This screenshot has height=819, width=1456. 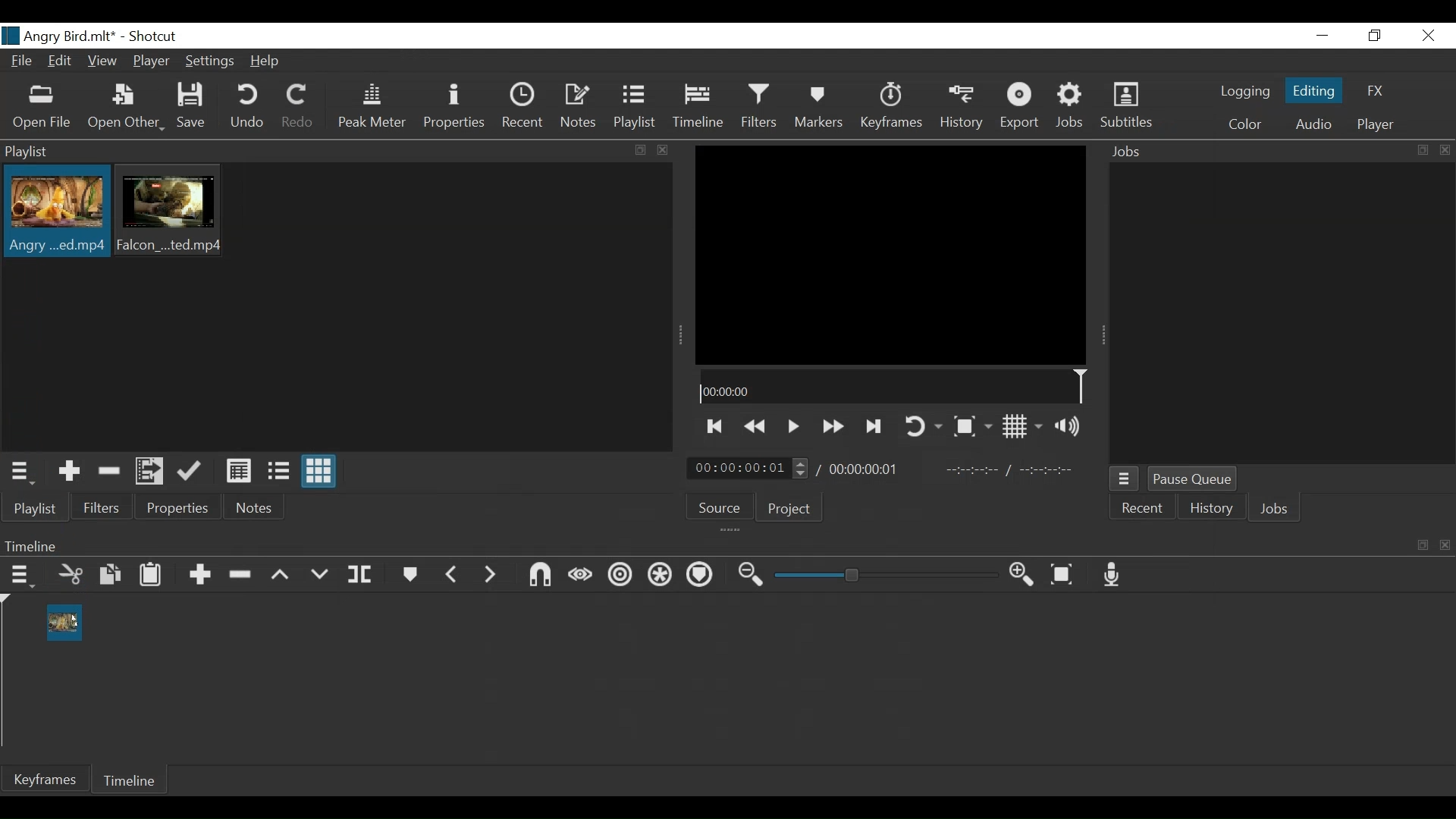 I want to click on Toggle Zoom, so click(x=971, y=427).